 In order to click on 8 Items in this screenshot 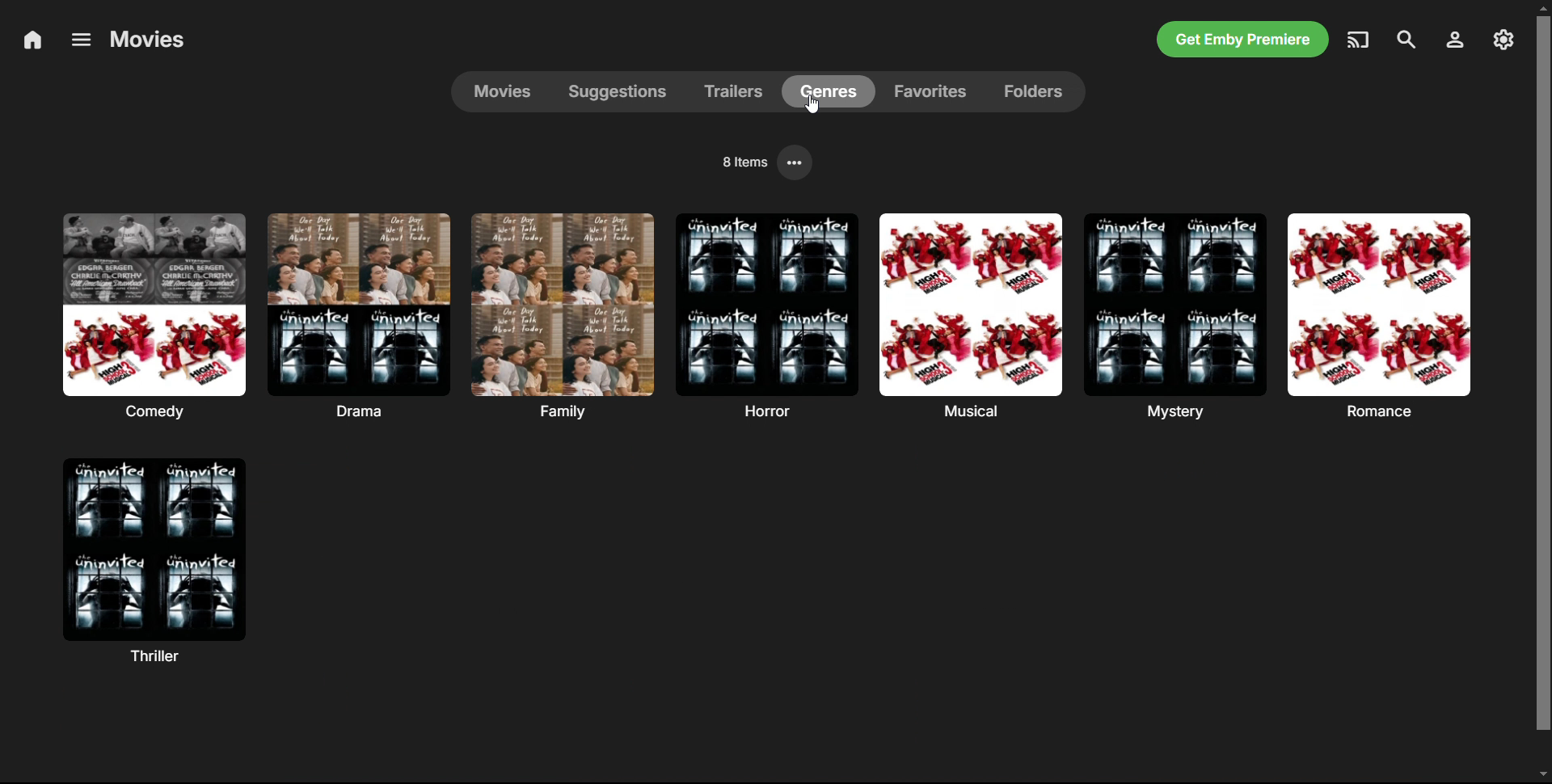, I will do `click(743, 161)`.